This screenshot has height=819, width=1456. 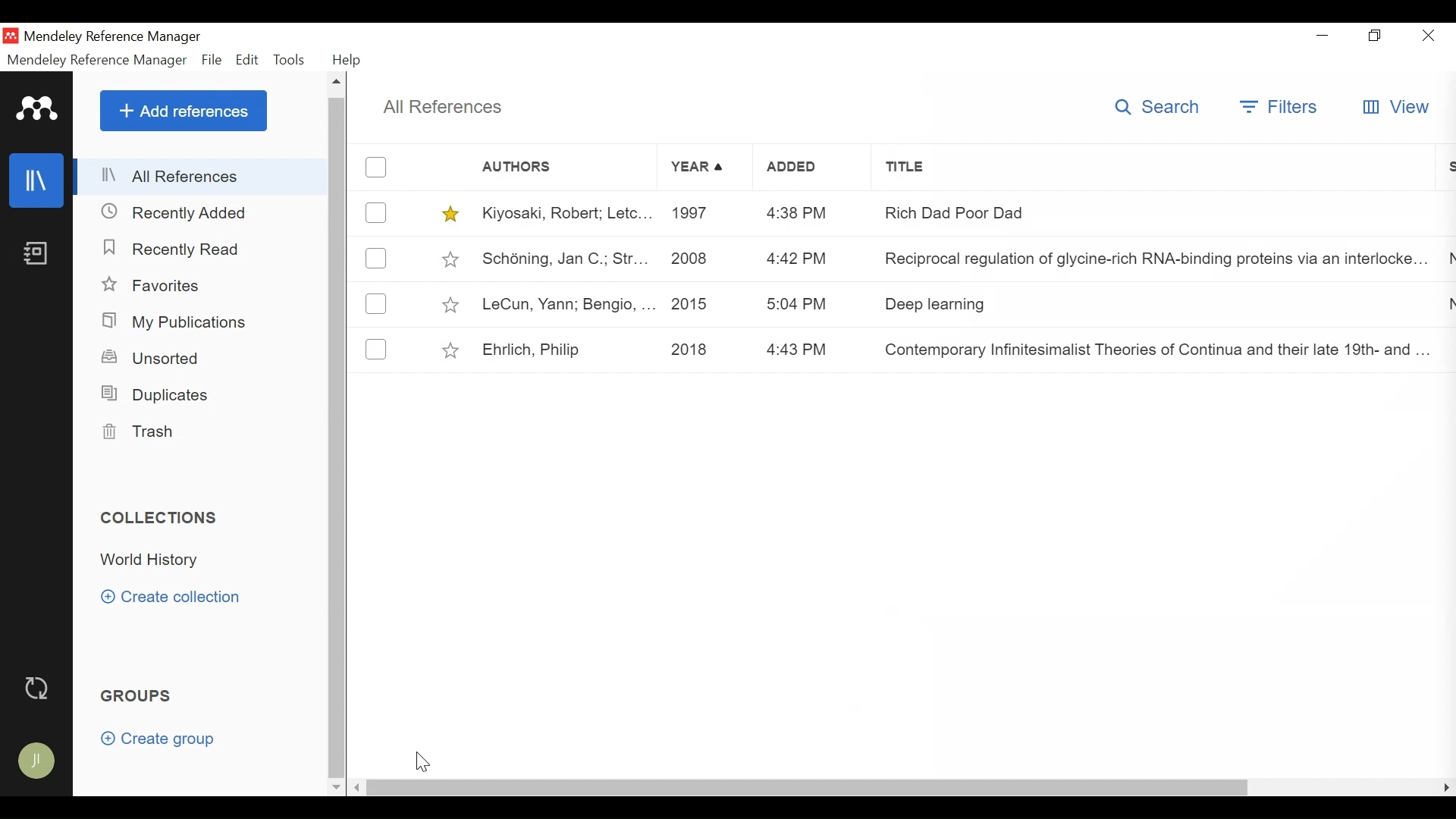 I want to click on Sync, so click(x=36, y=687).